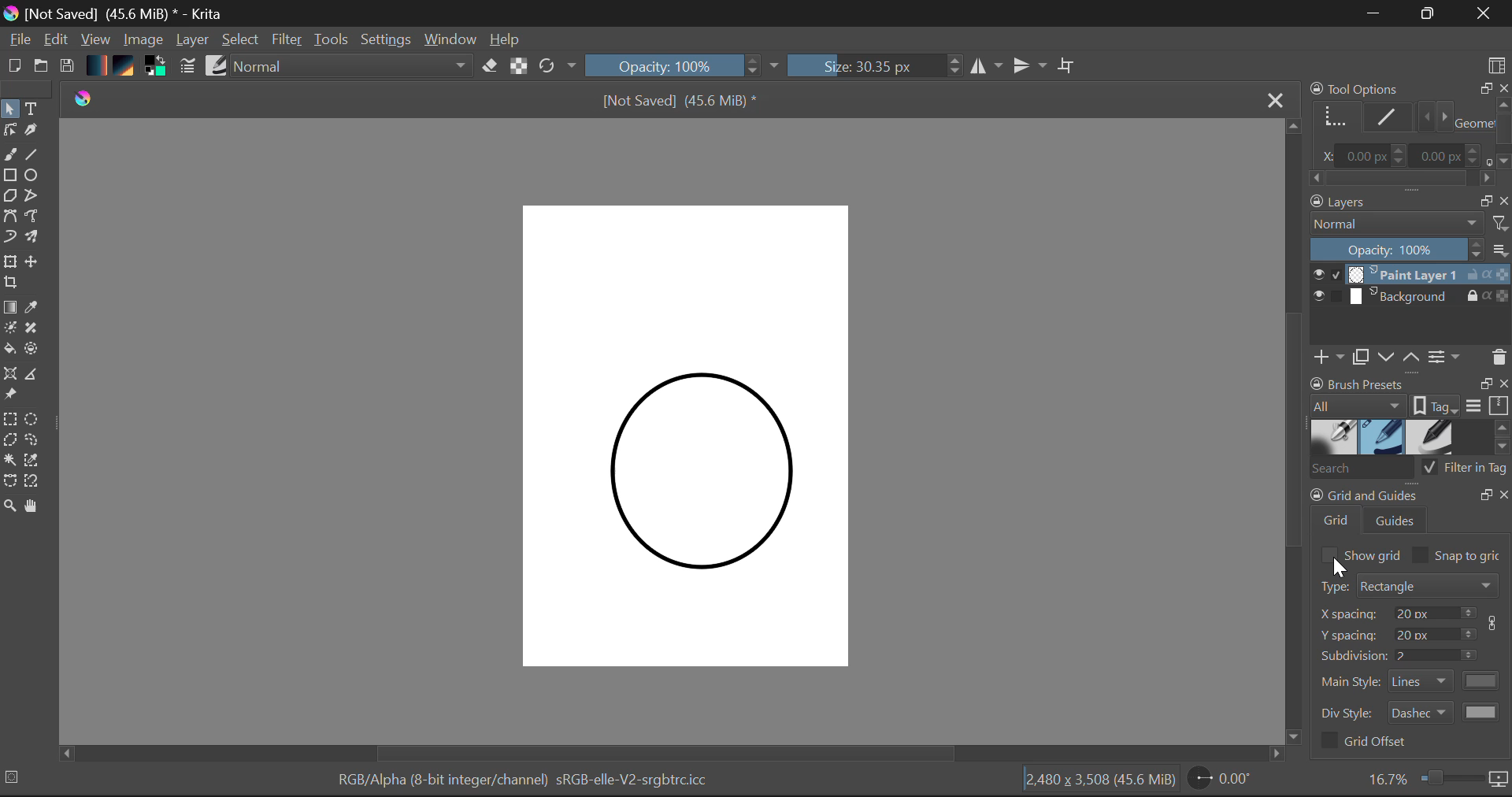 The image size is (1512, 797). Describe the element at coordinates (1032, 65) in the screenshot. I see `Horizontal Mirror Flip` at that location.